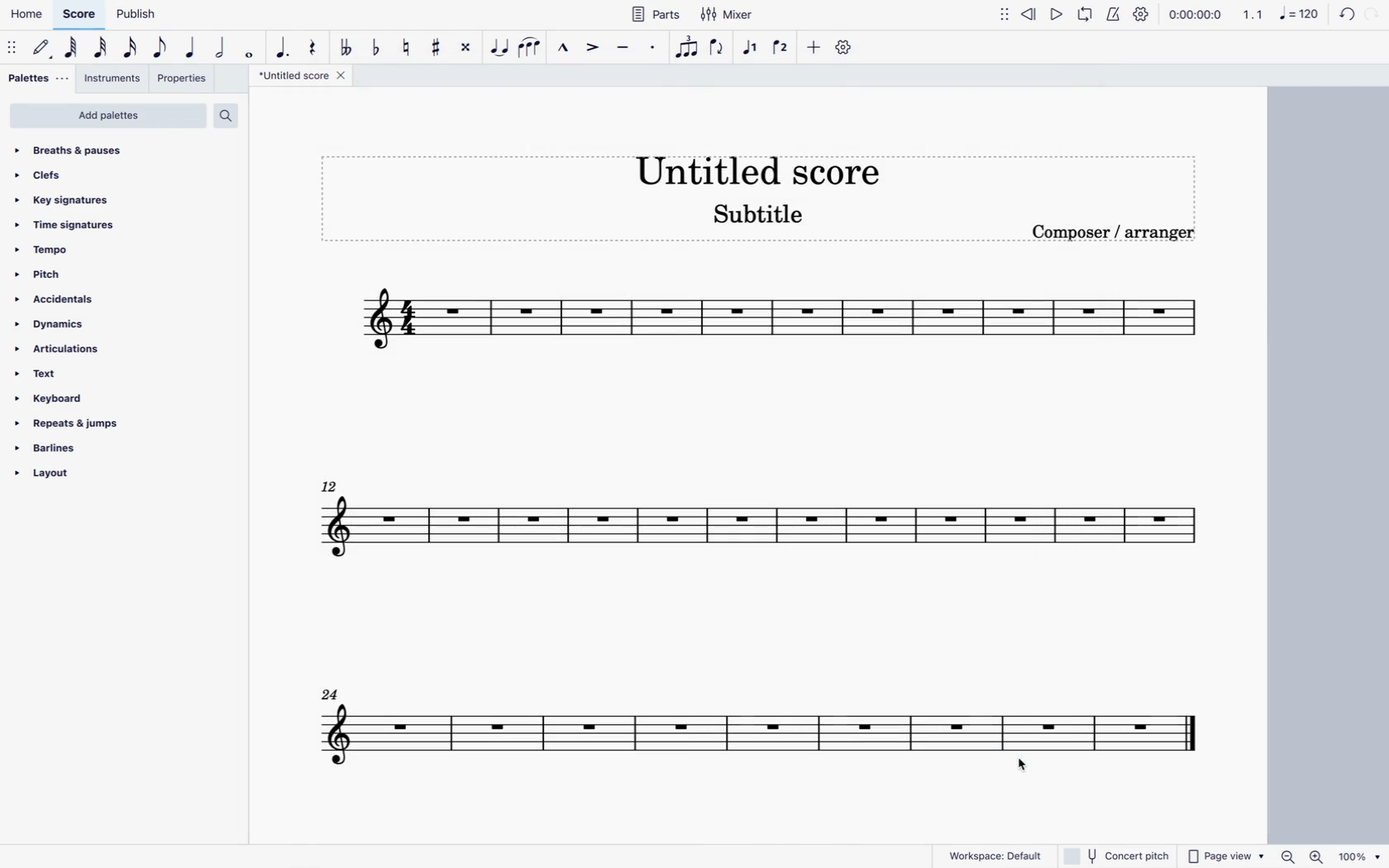  I want to click on Parts, so click(656, 17).